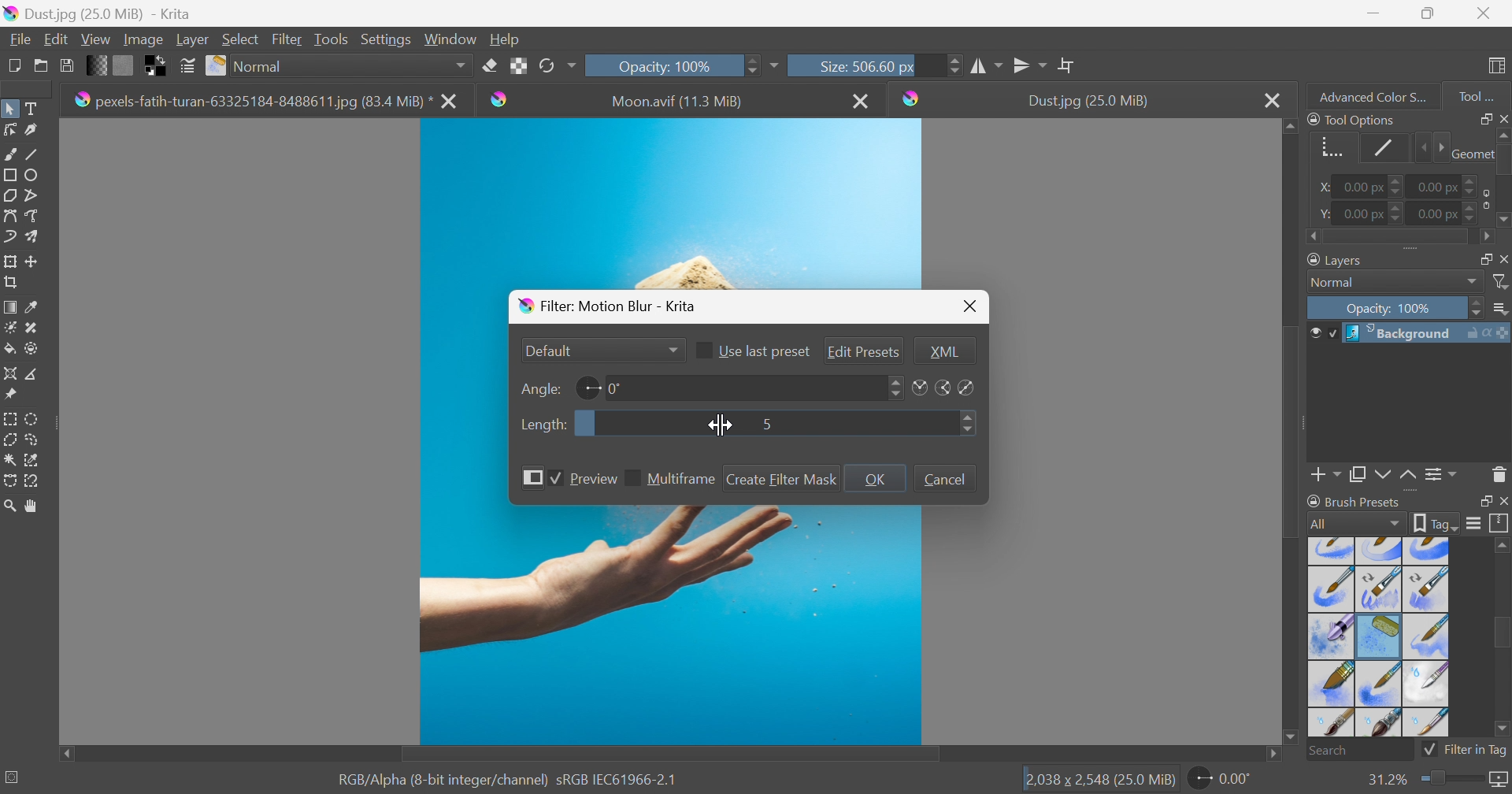 This screenshot has height=794, width=1512. Describe the element at coordinates (9, 216) in the screenshot. I see `Bezier curve tool` at that location.